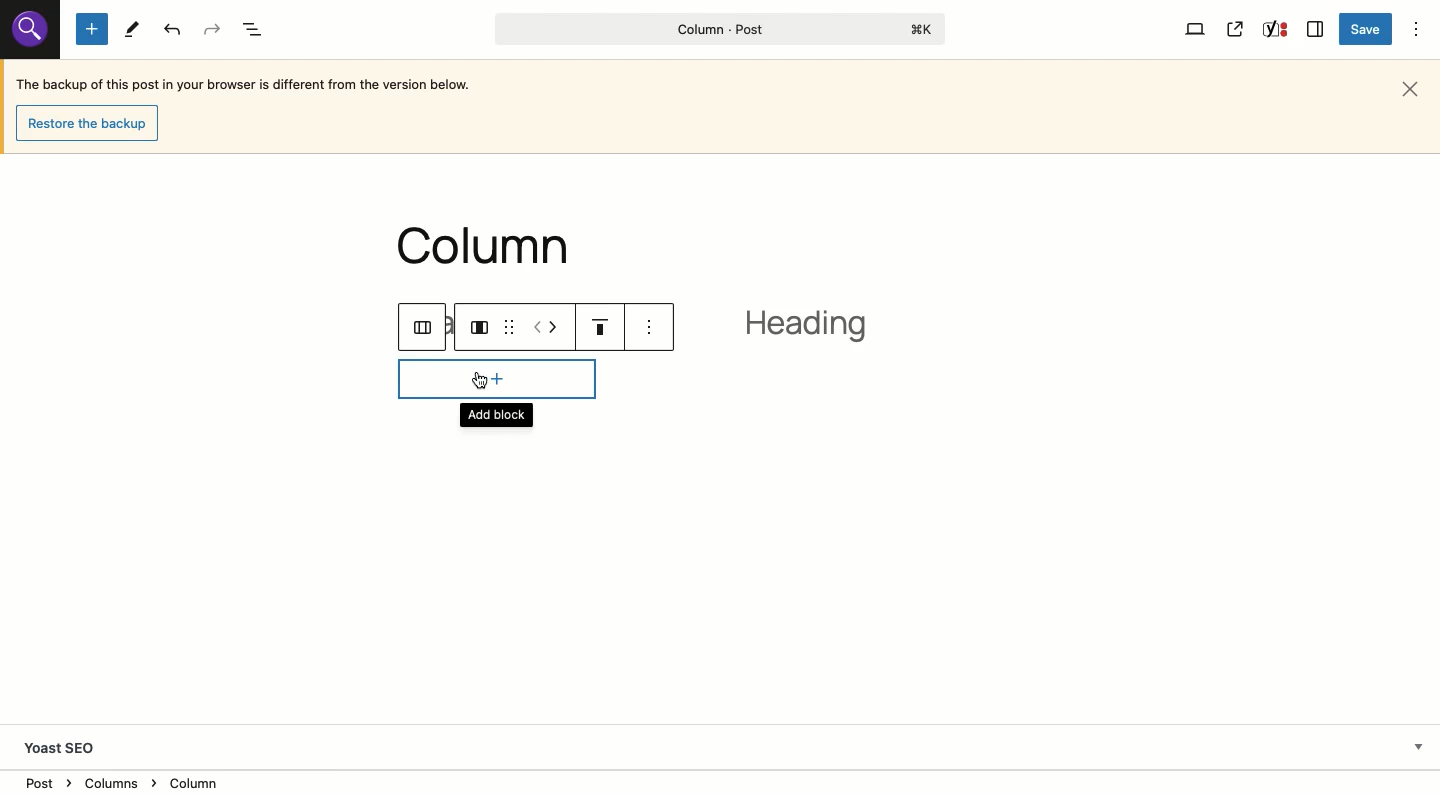 The height and width of the screenshot is (794, 1440). I want to click on search, so click(29, 28).